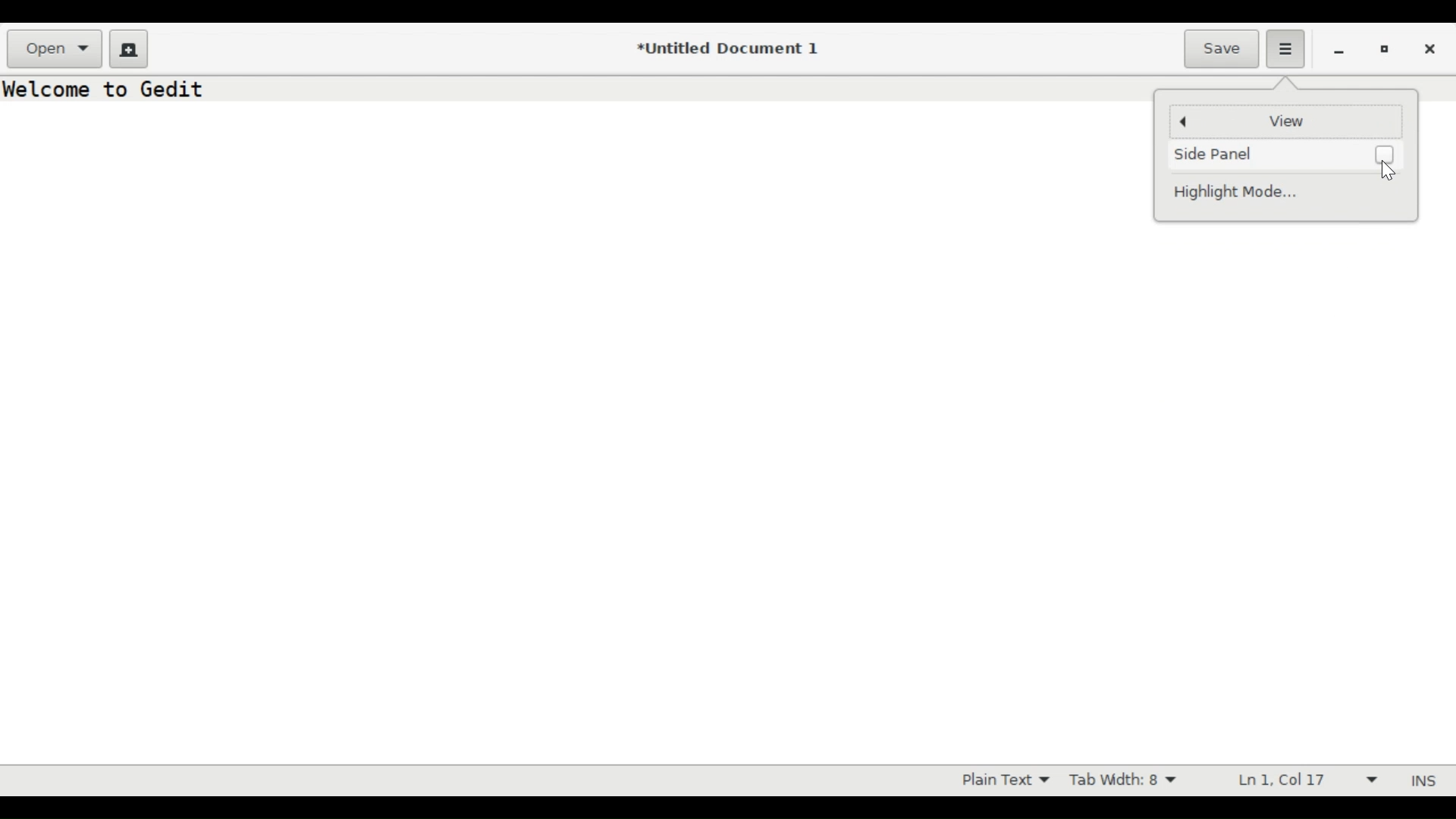 Image resolution: width=1456 pixels, height=819 pixels. I want to click on Line and Column Preference, so click(1302, 781).